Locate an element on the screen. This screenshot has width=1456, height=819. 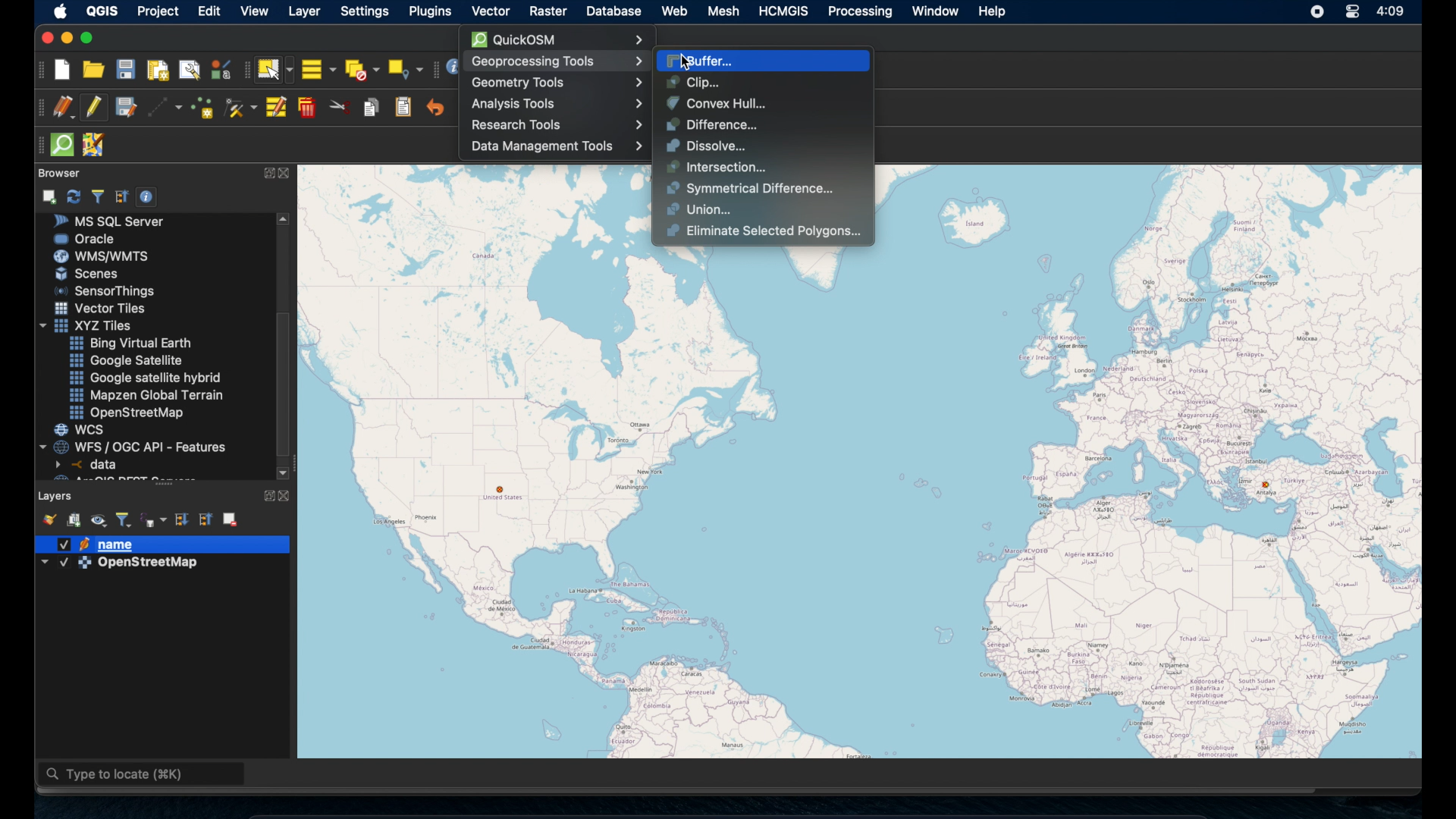
edit is located at coordinates (212, 11).